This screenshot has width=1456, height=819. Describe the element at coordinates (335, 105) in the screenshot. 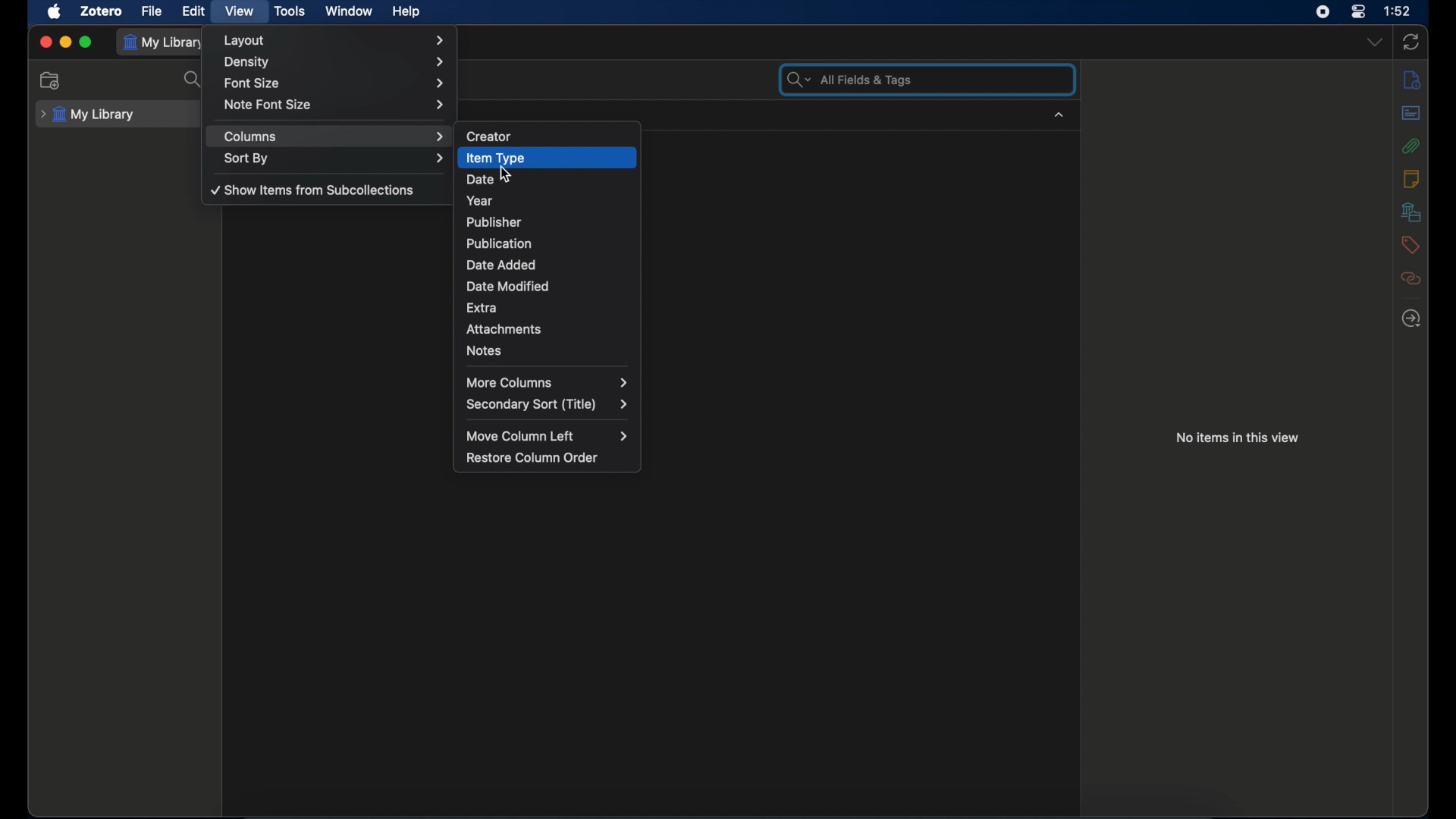

I see `note font size` at that location.